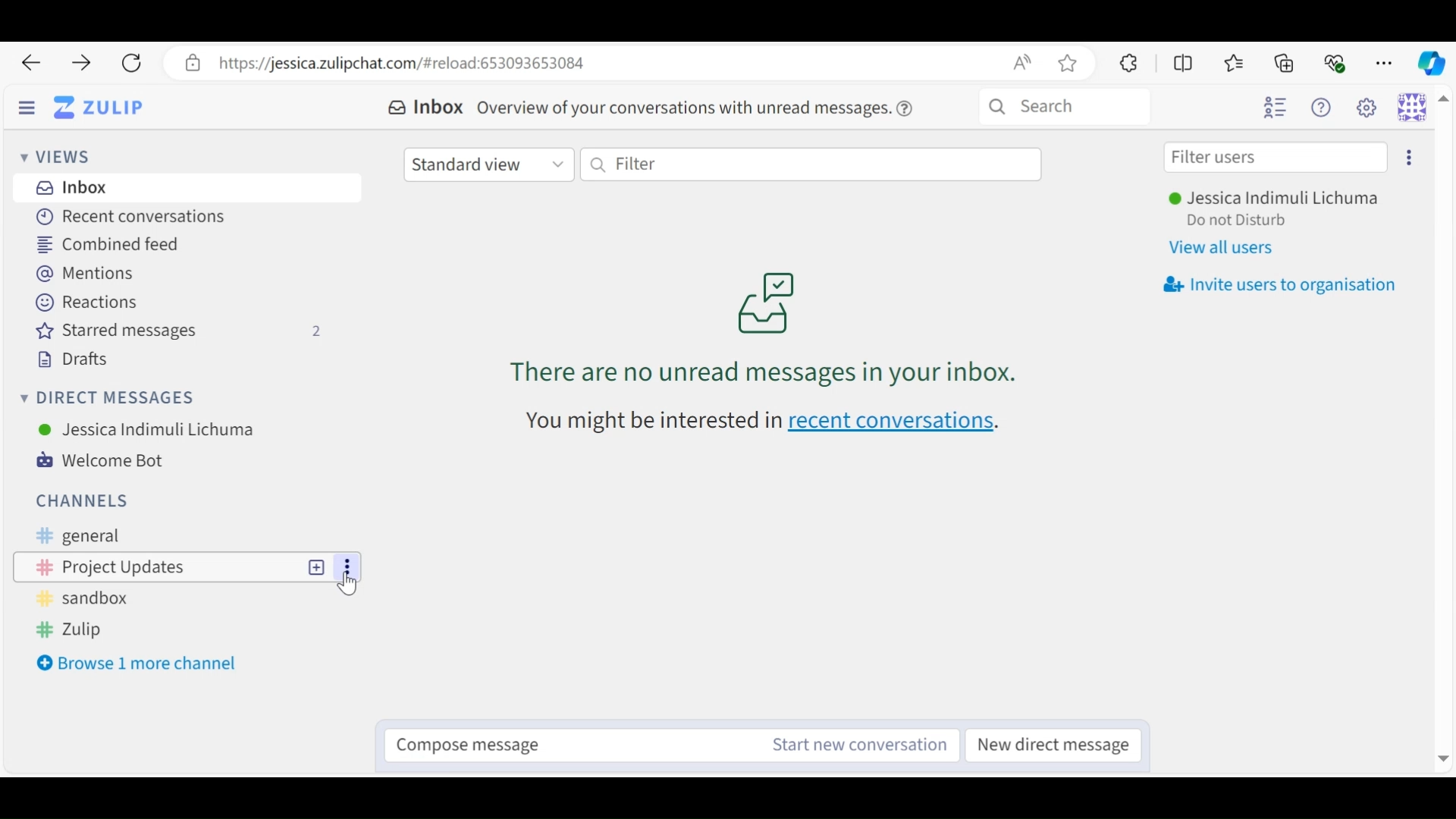 Image resolution: width=1456 pixels, height=819 pixels. I want to click on Standard View, so click(490, 163).